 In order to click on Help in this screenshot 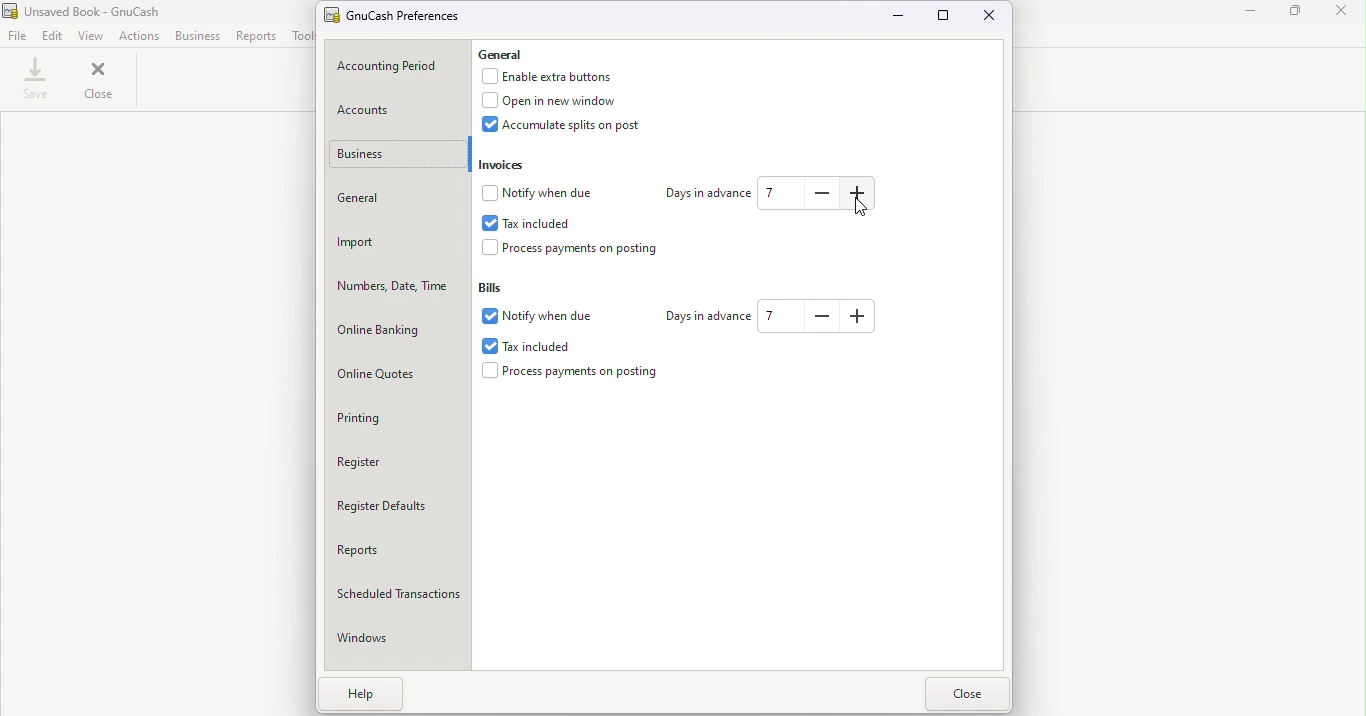, I will do `click(364, 696)`.